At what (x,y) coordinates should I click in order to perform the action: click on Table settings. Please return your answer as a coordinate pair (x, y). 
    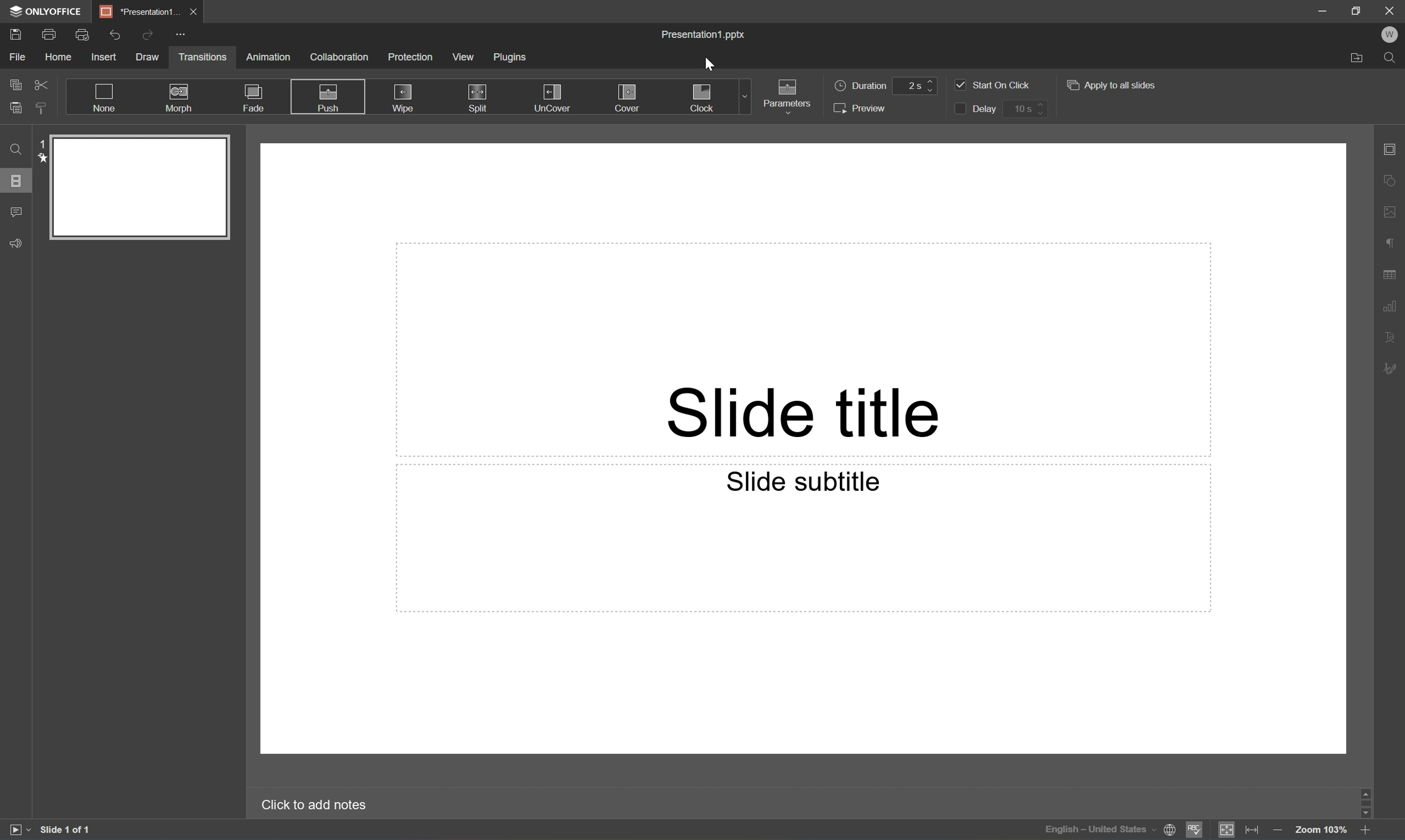
    Looking at the image, I should click on (1392, 273).